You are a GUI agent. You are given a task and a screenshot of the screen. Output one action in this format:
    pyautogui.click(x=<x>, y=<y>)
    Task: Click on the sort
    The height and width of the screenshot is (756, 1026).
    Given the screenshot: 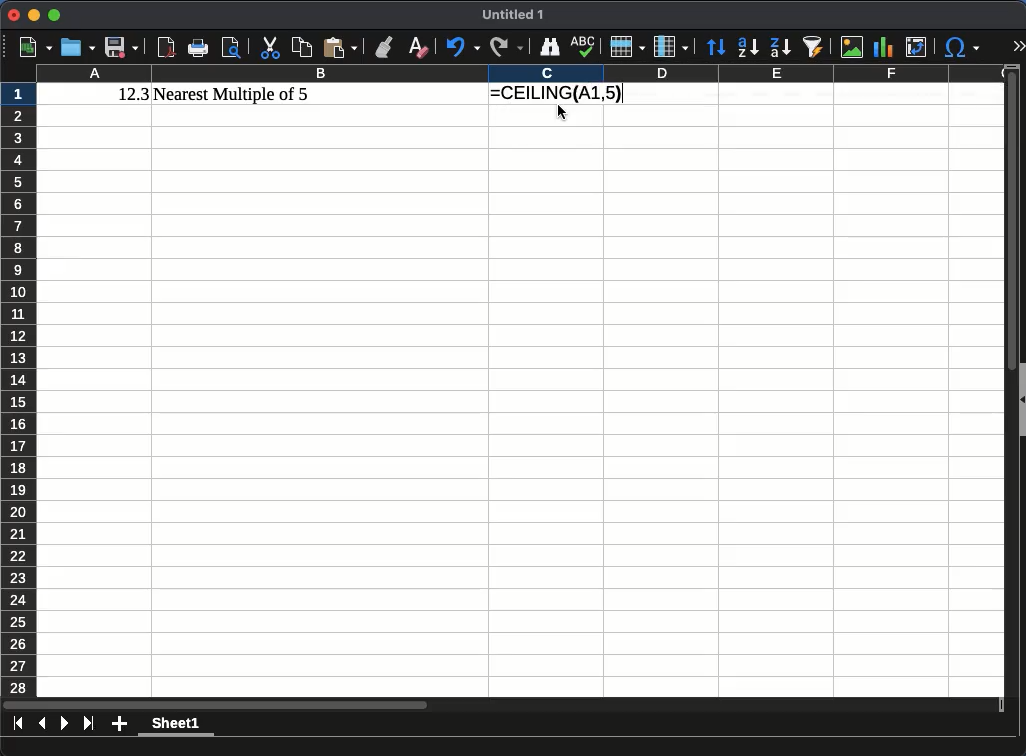 What is the action you would take?
    pyautogui.click(x=718, y=48)
    